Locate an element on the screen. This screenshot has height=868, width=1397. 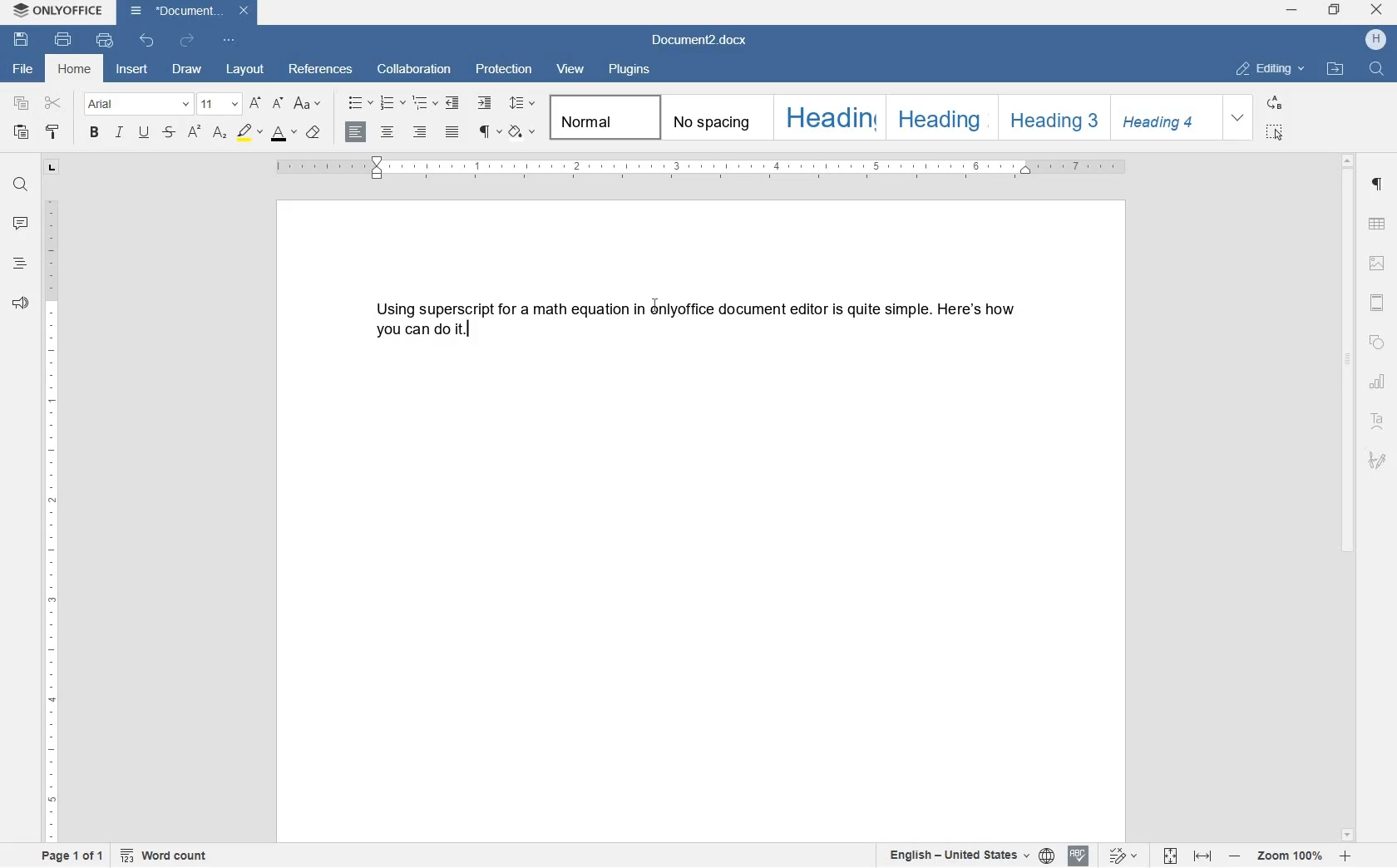
draw is located at coordinates (192, 69).